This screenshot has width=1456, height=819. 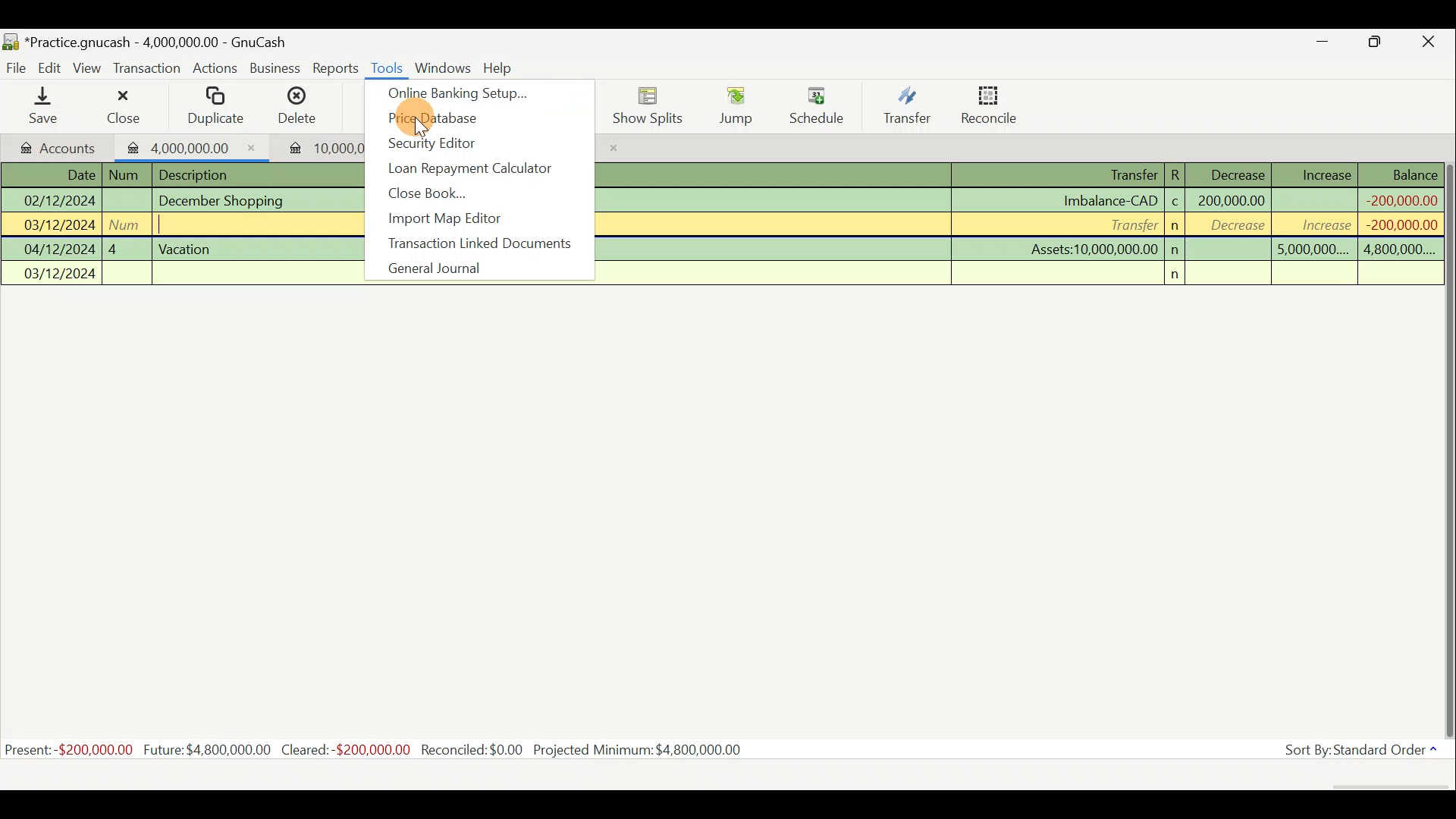 What do you see at coordinates (1398, 250) in the screenshot?
I see `4,800,000` at bounding box center [1398, 250].